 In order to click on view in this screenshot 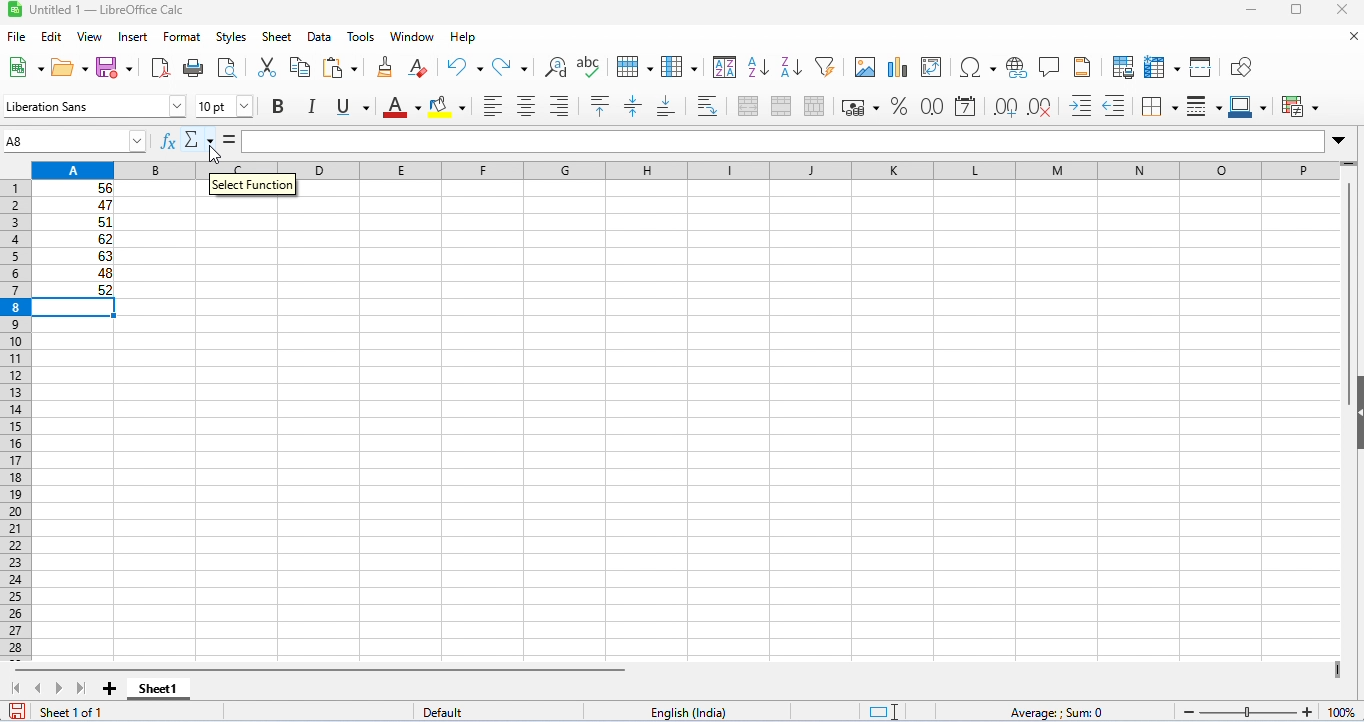, I will do `click(90, 37)`.